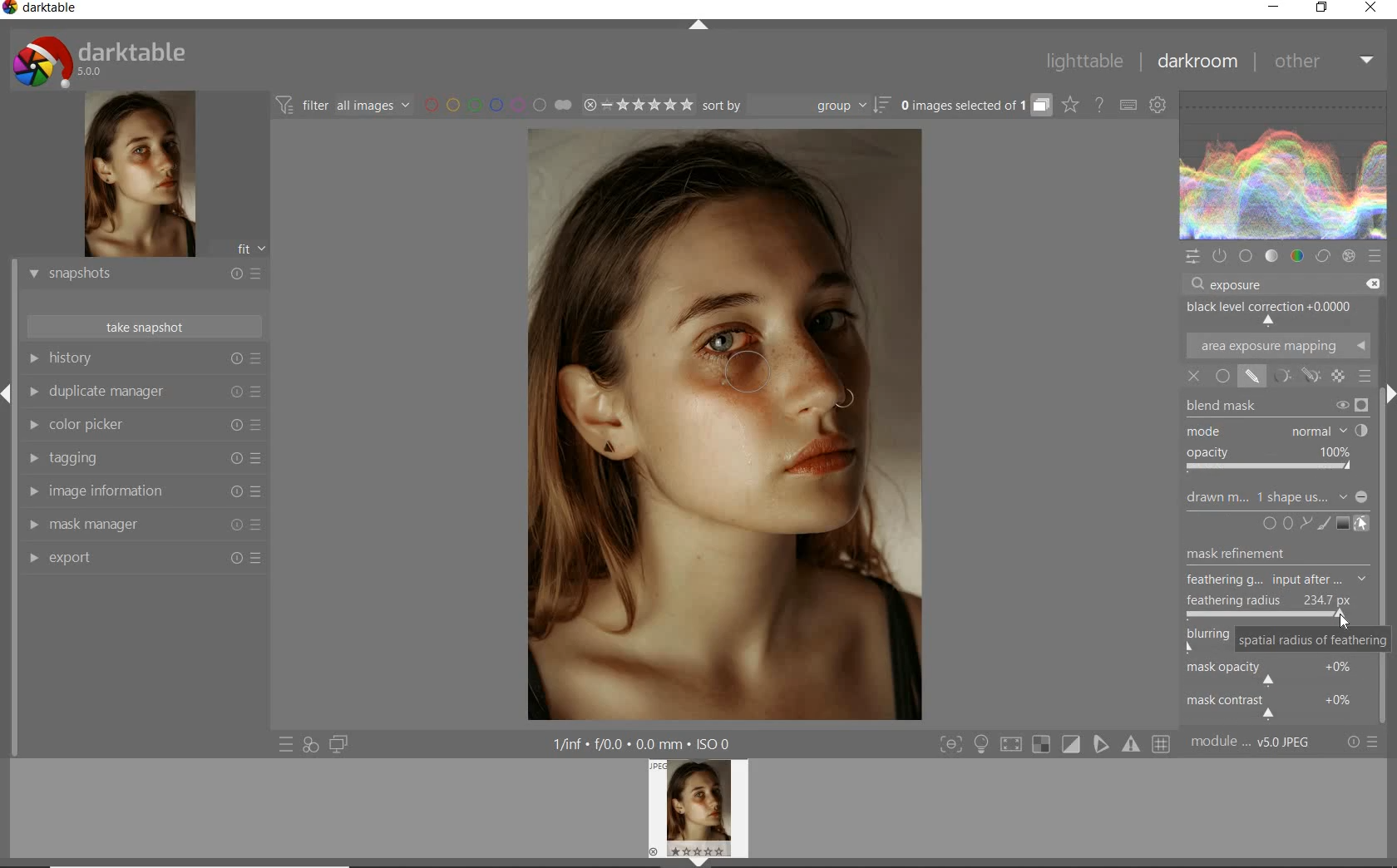 The image size is (1397, 868). What do you see at coordinates (1219, 257) in the screenshot?
I see `show only active modules` at bounding box center [1219, 257].